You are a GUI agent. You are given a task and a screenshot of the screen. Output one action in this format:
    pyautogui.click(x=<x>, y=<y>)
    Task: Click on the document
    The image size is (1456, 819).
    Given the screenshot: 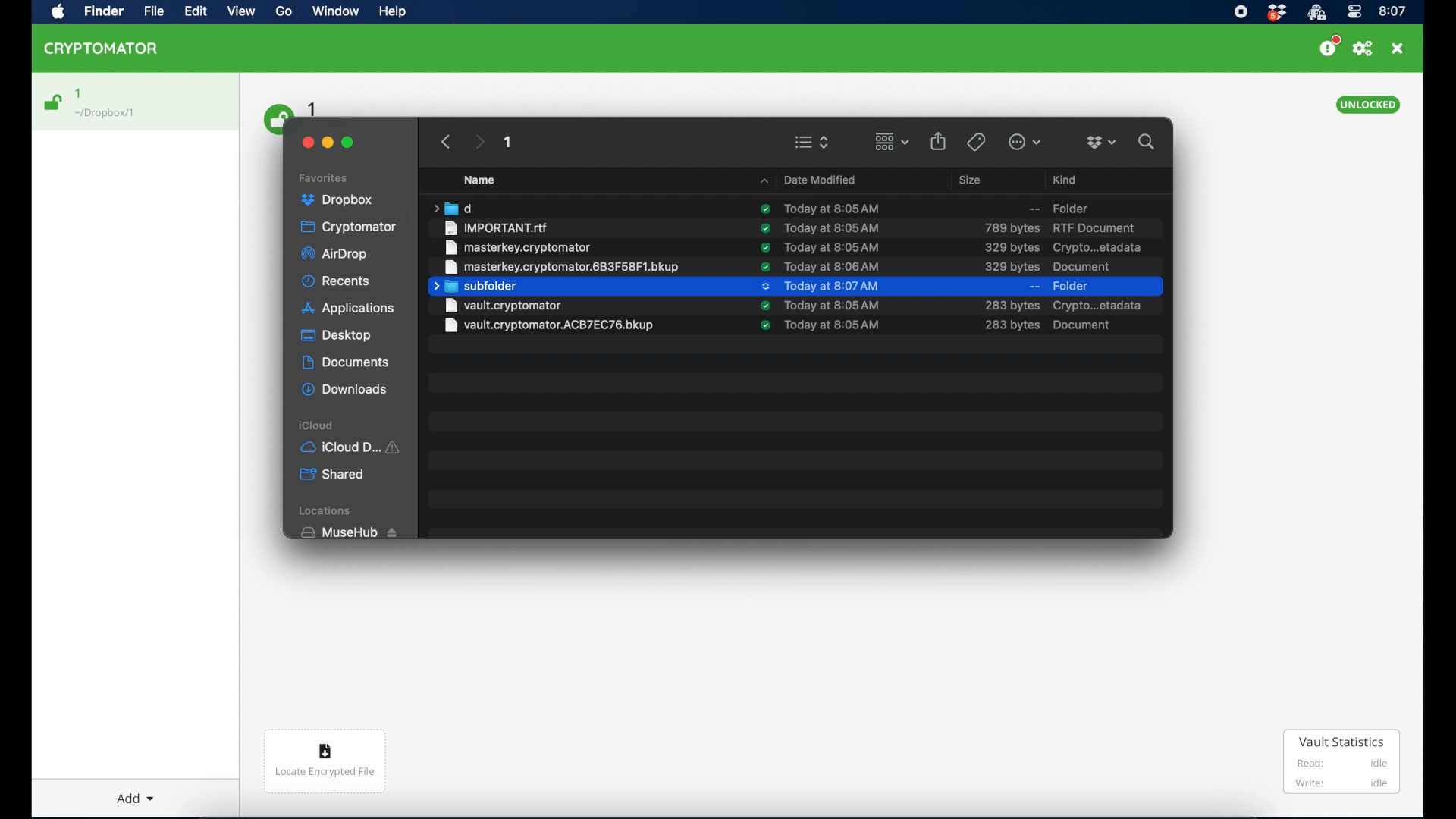 What is the action you would take?
    pyautogui.click(x=1100, y=305)
    